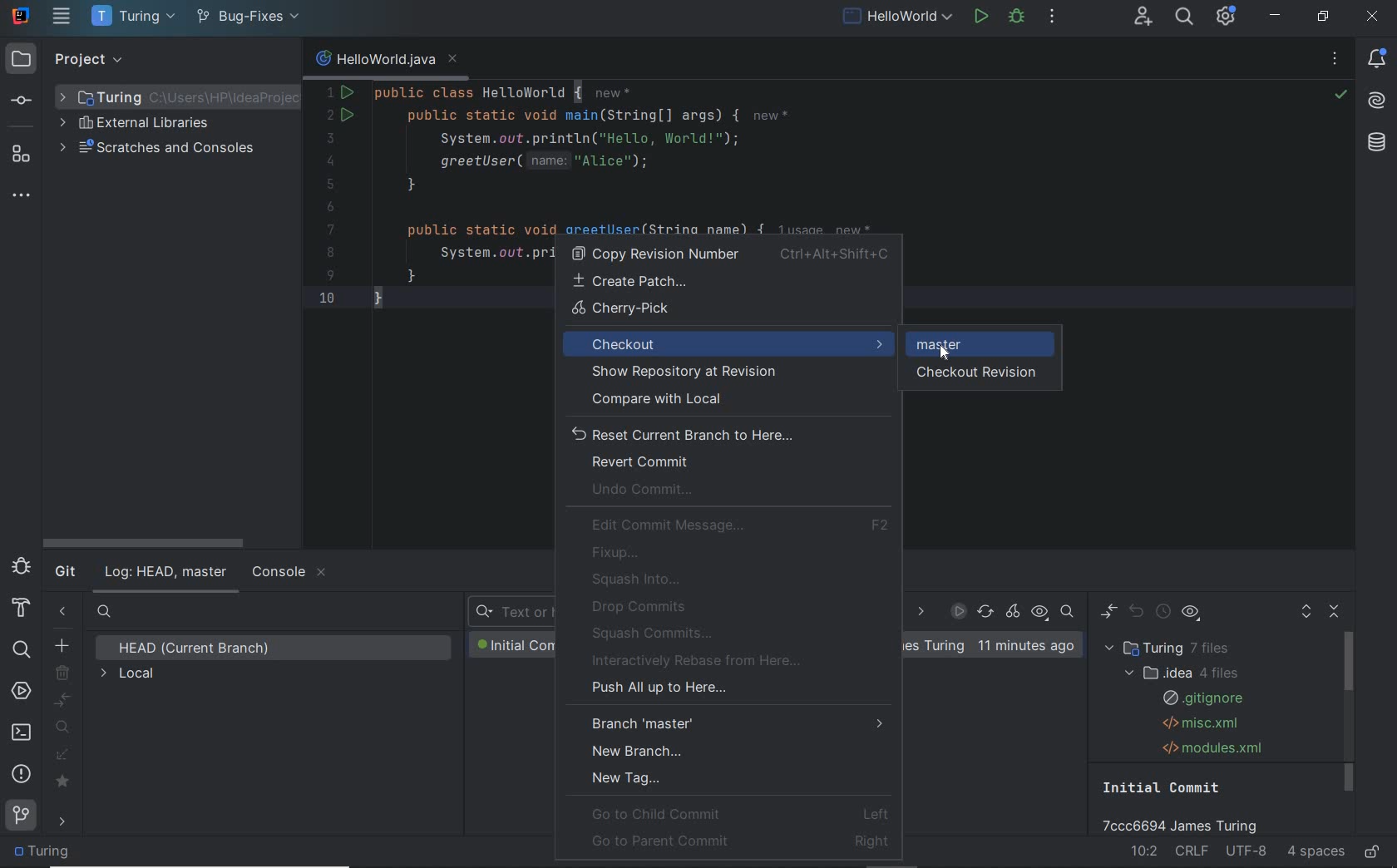  Describe the element at coordinates (1324, 17) in the screenshot. I see `restore down` at that location.